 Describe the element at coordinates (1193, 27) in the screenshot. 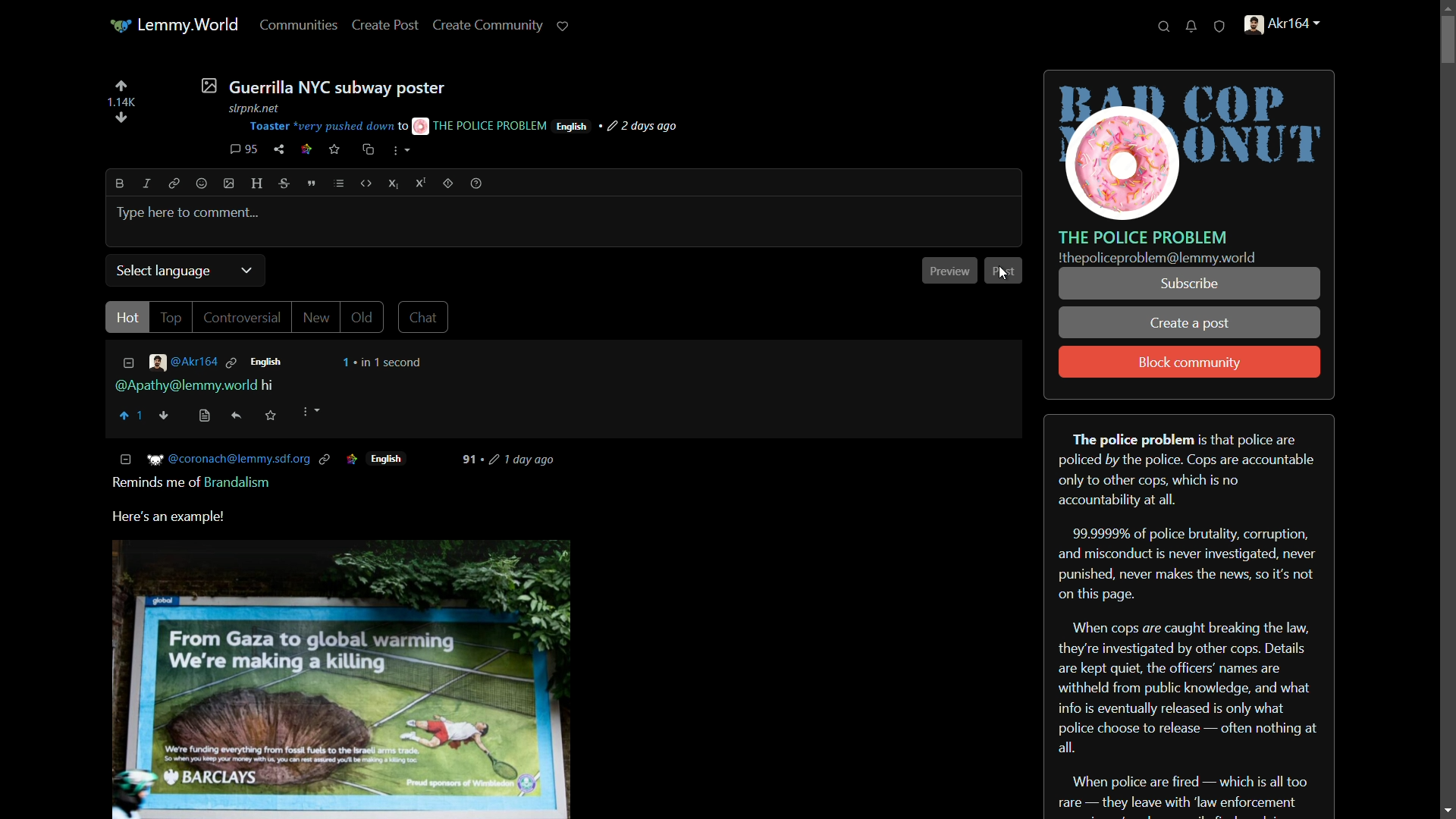

I see `unread notifications` at that location.